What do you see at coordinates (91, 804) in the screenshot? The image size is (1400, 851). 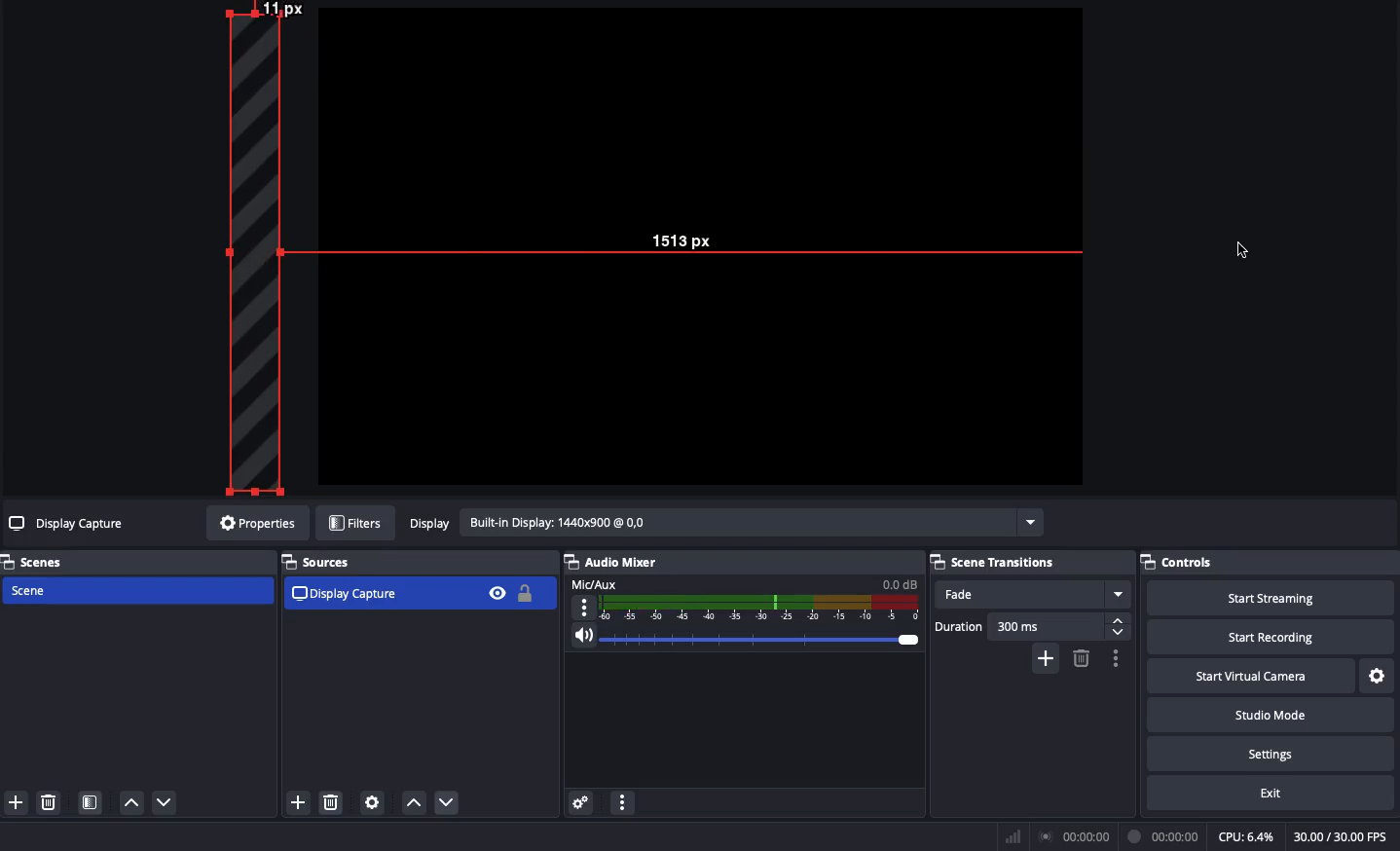 I see `Scene filter` at bounding box center [91, 804].